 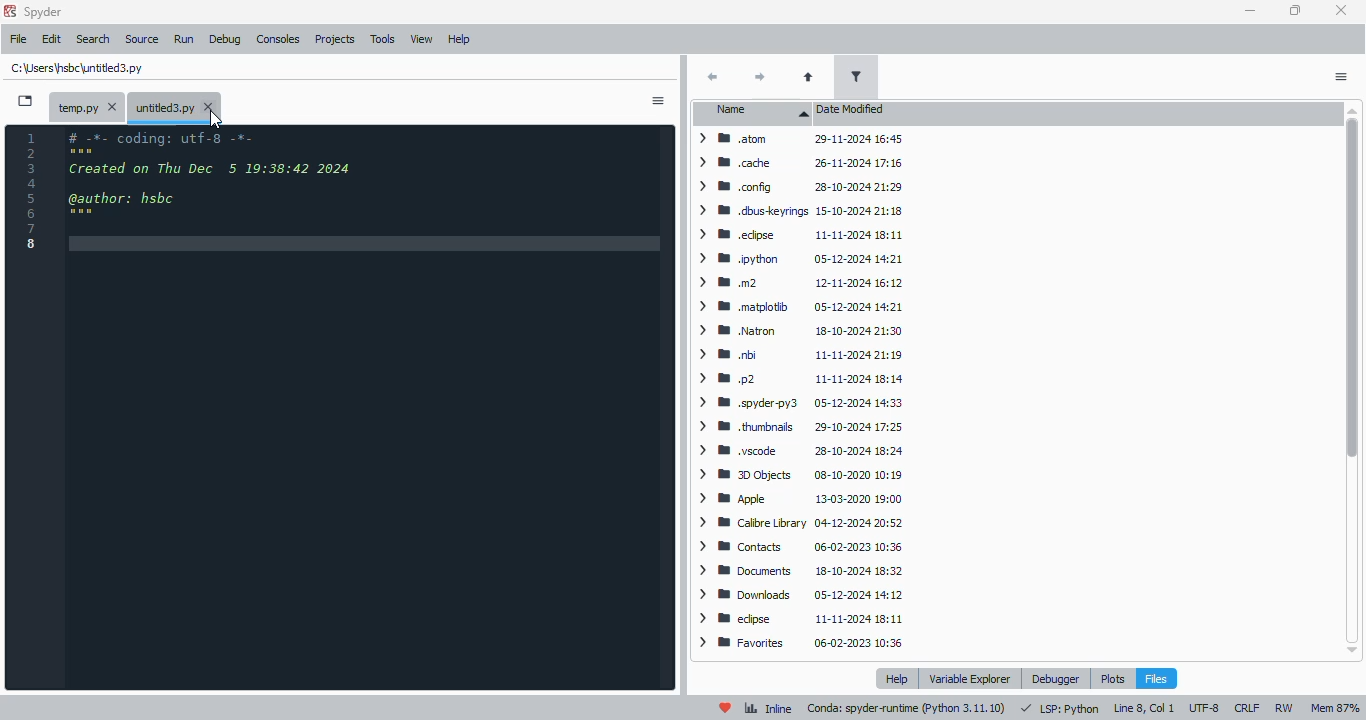 I want to click on search, so click(x=94, y=40).